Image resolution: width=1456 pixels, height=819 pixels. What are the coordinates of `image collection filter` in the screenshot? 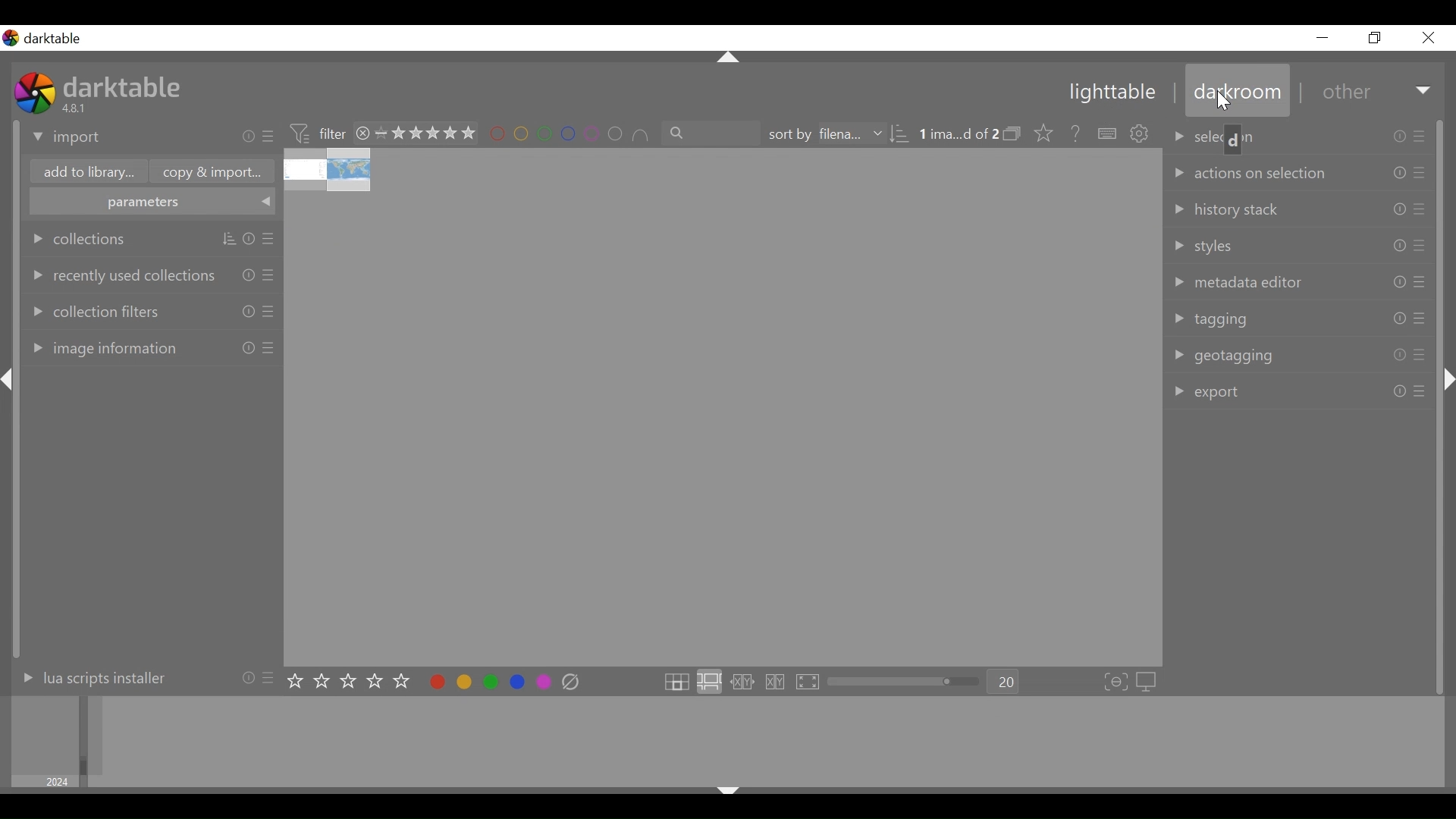 It's located at (733, 742).